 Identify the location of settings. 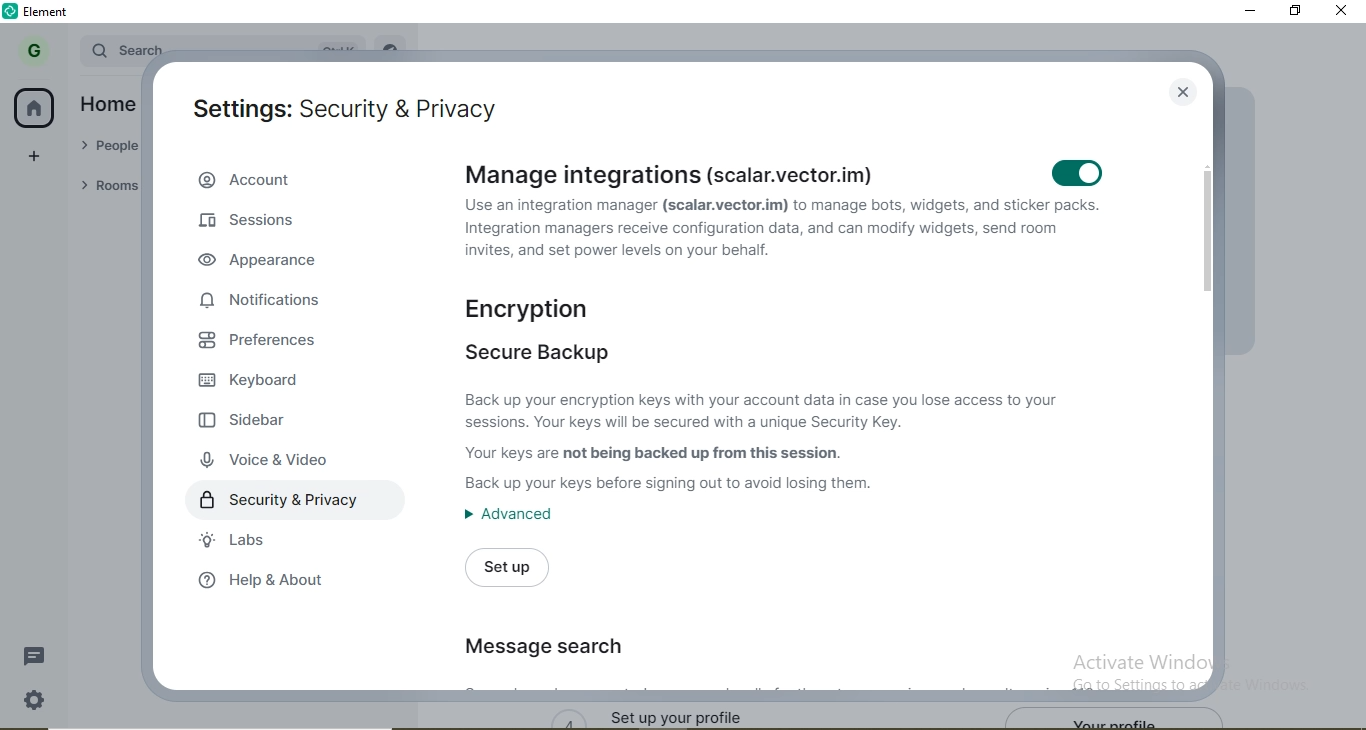
(36, 697).